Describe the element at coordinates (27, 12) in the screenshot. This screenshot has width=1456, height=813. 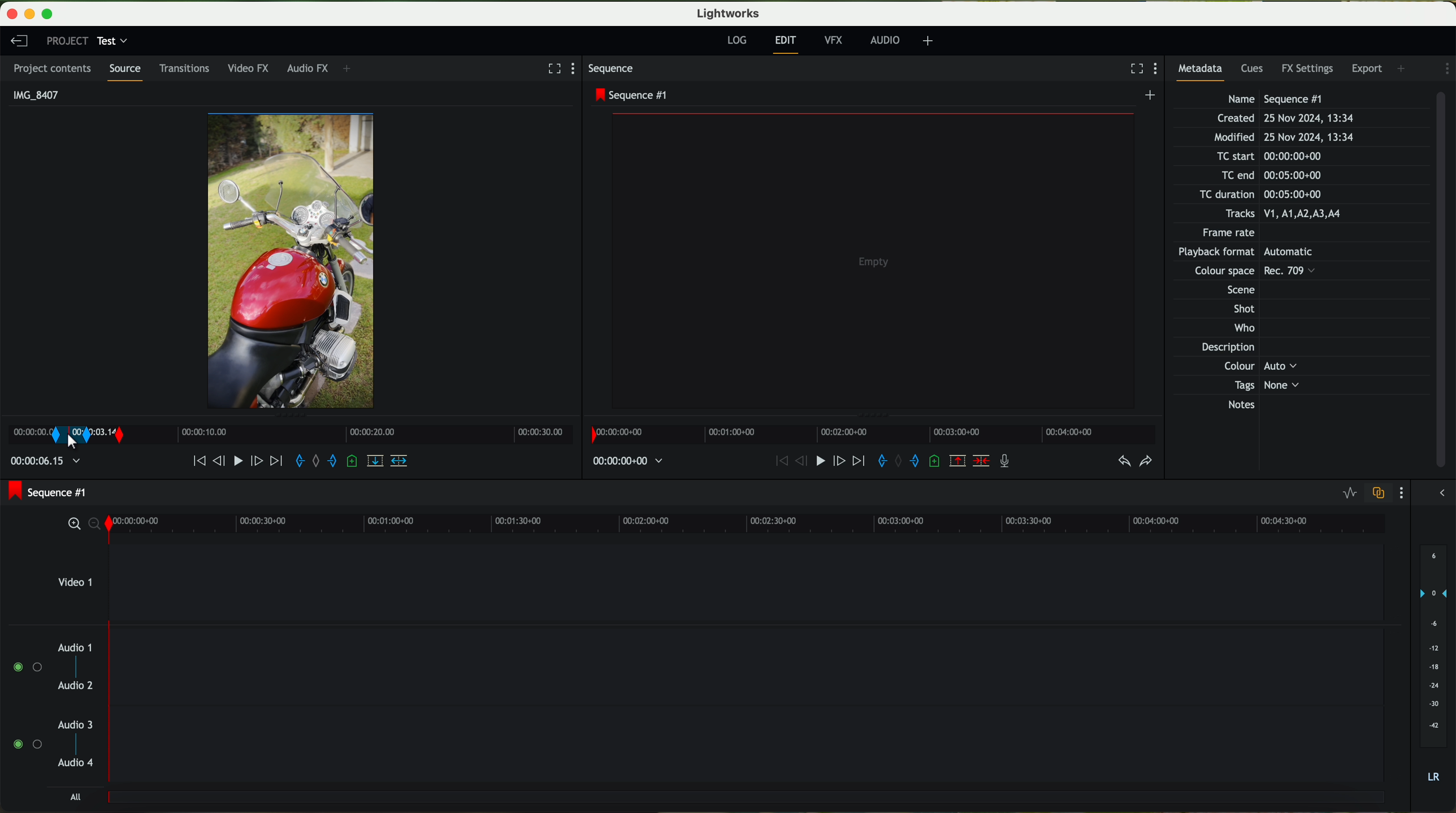
I see `minimize` at that location.